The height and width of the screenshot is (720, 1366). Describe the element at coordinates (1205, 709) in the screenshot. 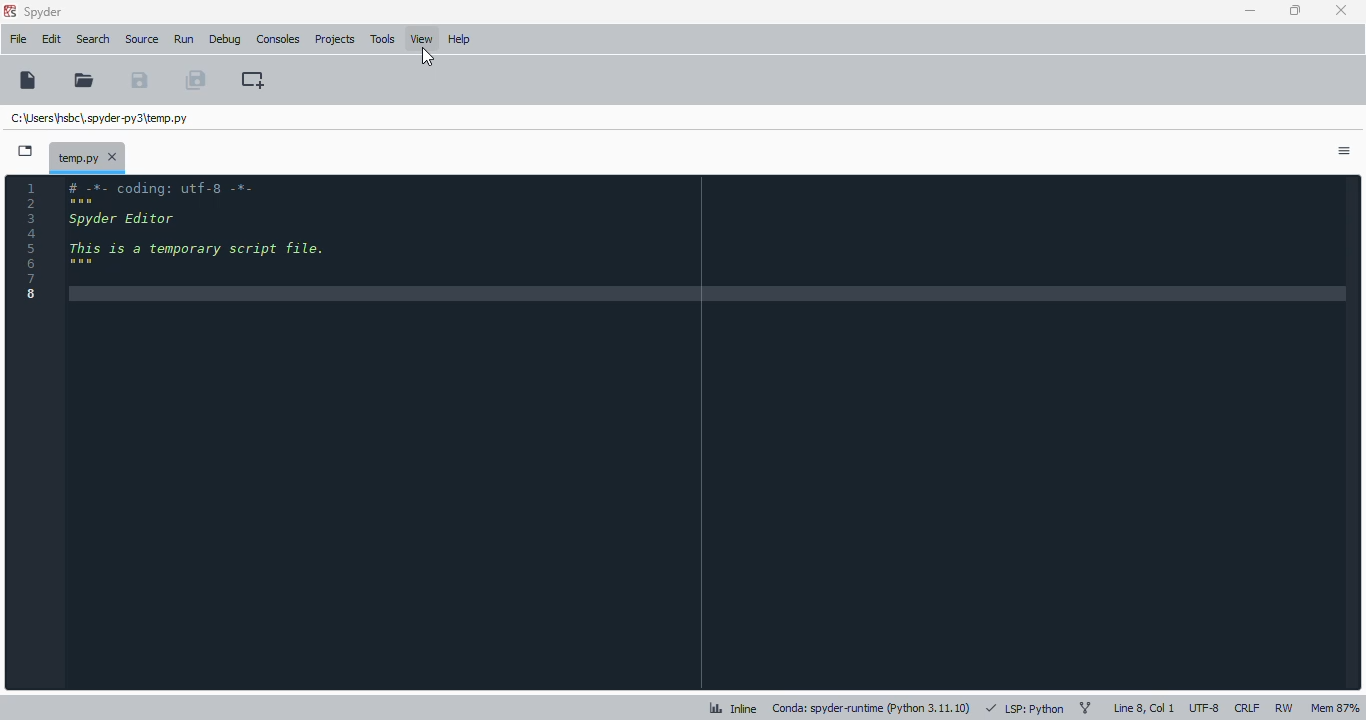

I see `UTF-8` at that location.